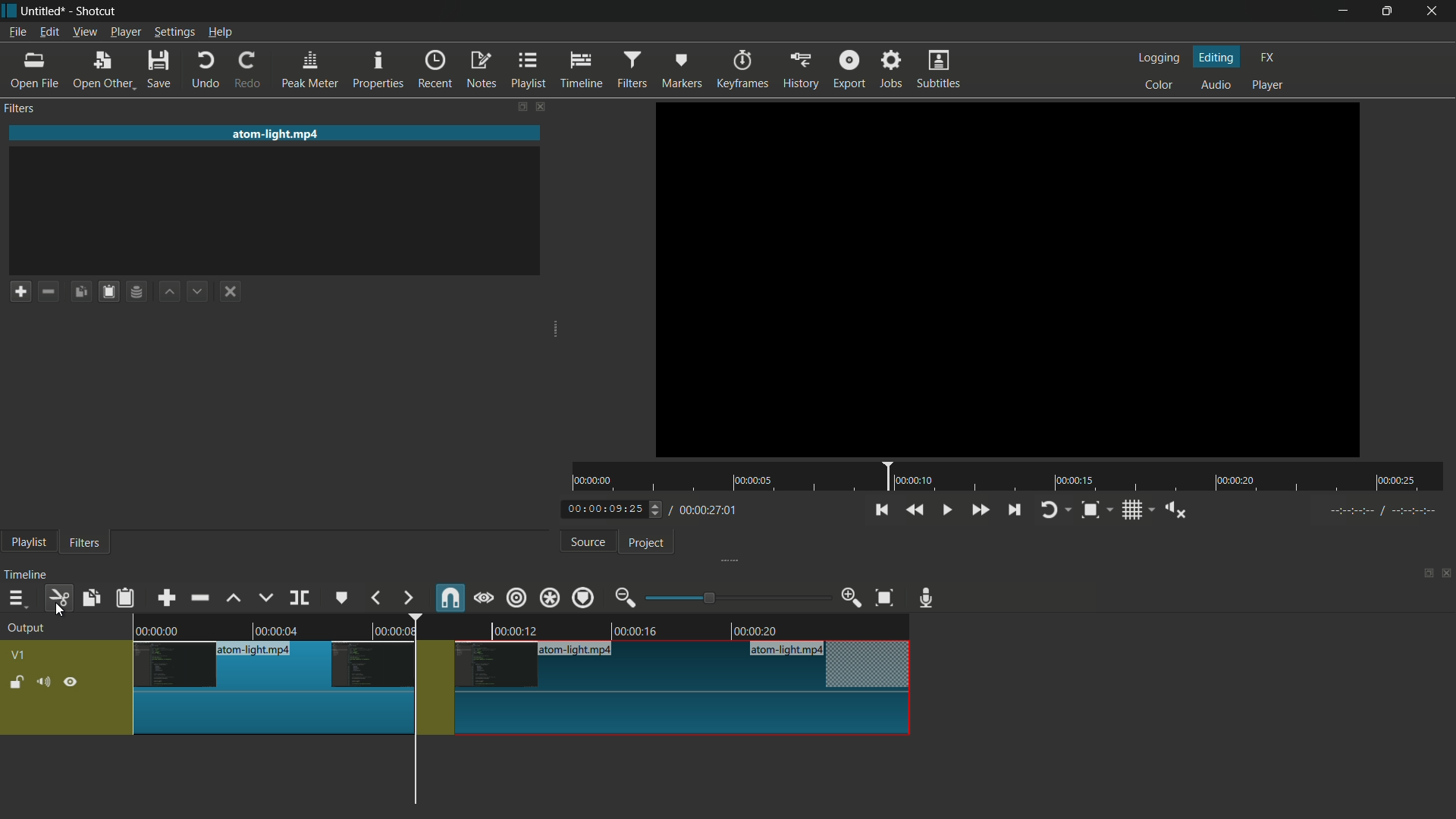  I want to click on ripple all tracks, so click(549, 597).